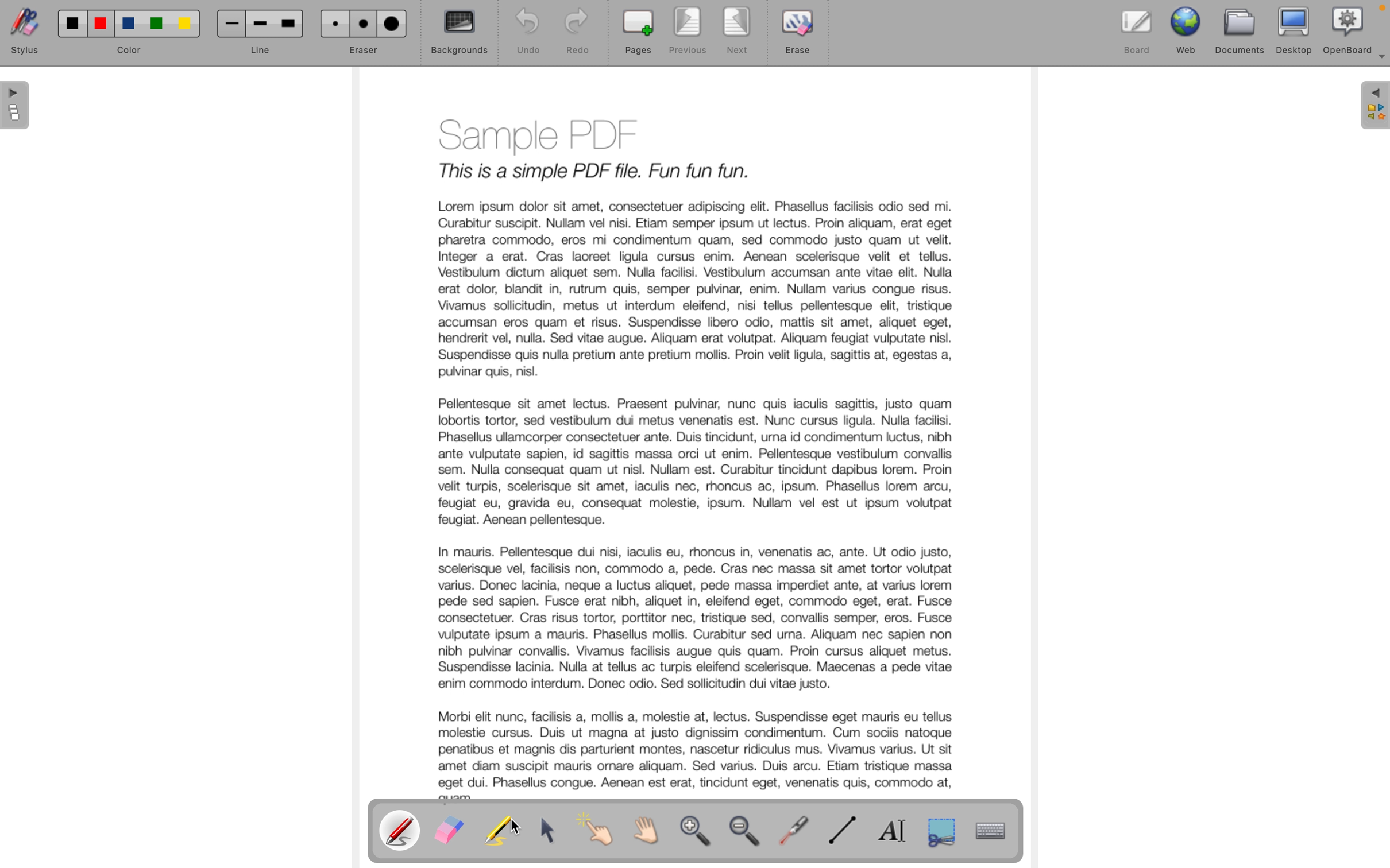 The height and width of the screenshot is (868, 1390). Describe the element at coordinates (550, 831) in the screenshot. I see `select` at that location.